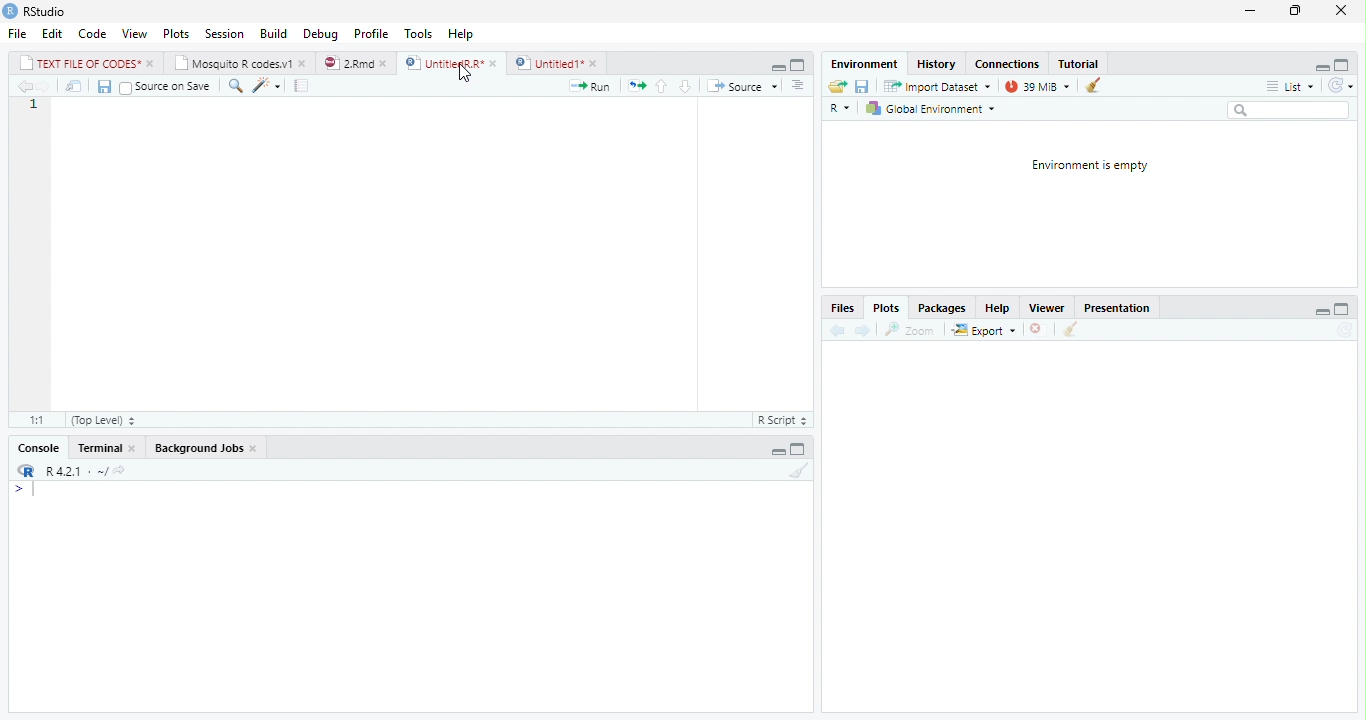  I want to click on List, so click(1289, 85).